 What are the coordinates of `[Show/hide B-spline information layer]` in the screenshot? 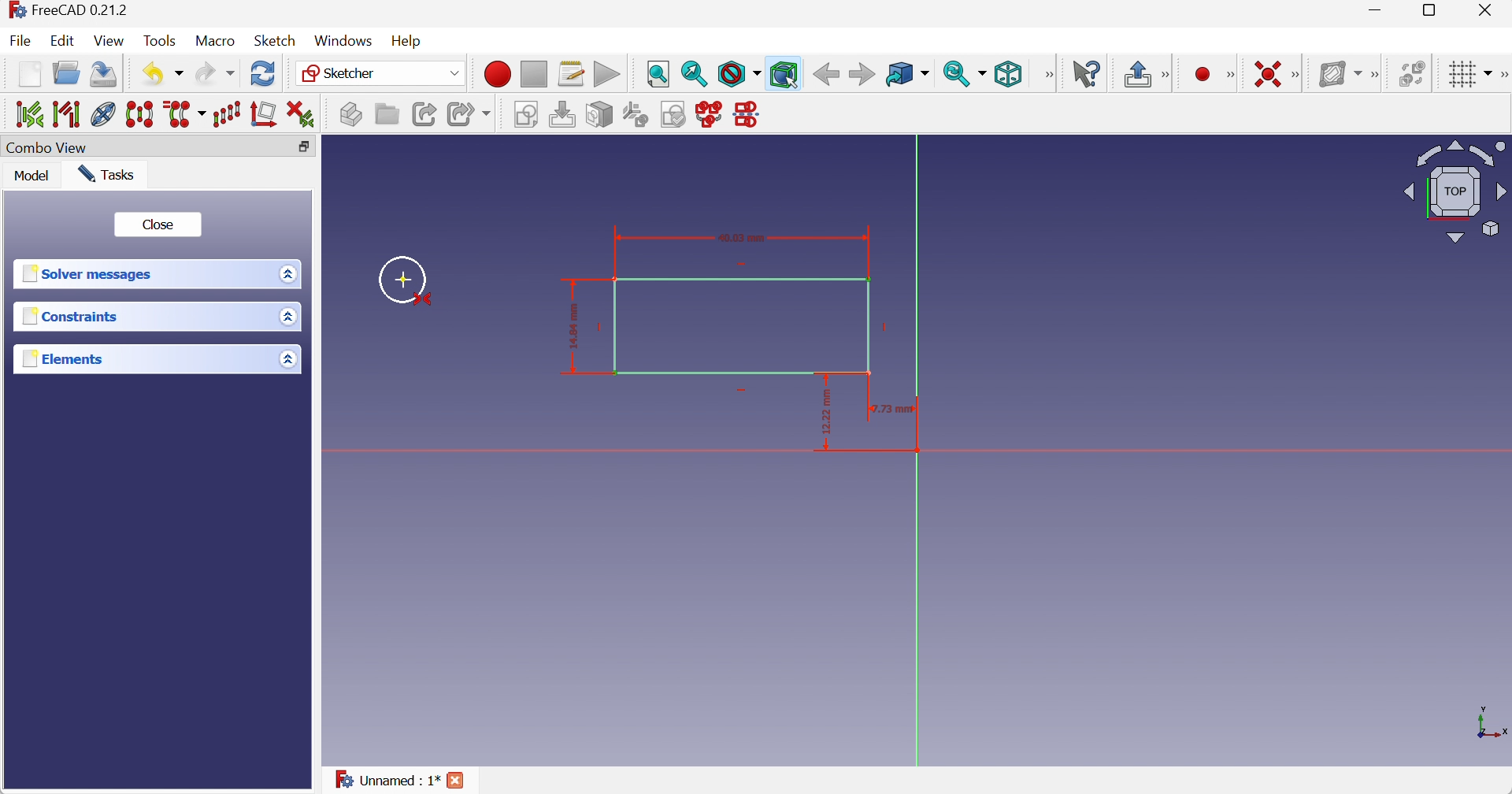 It's located at (1340, 74).